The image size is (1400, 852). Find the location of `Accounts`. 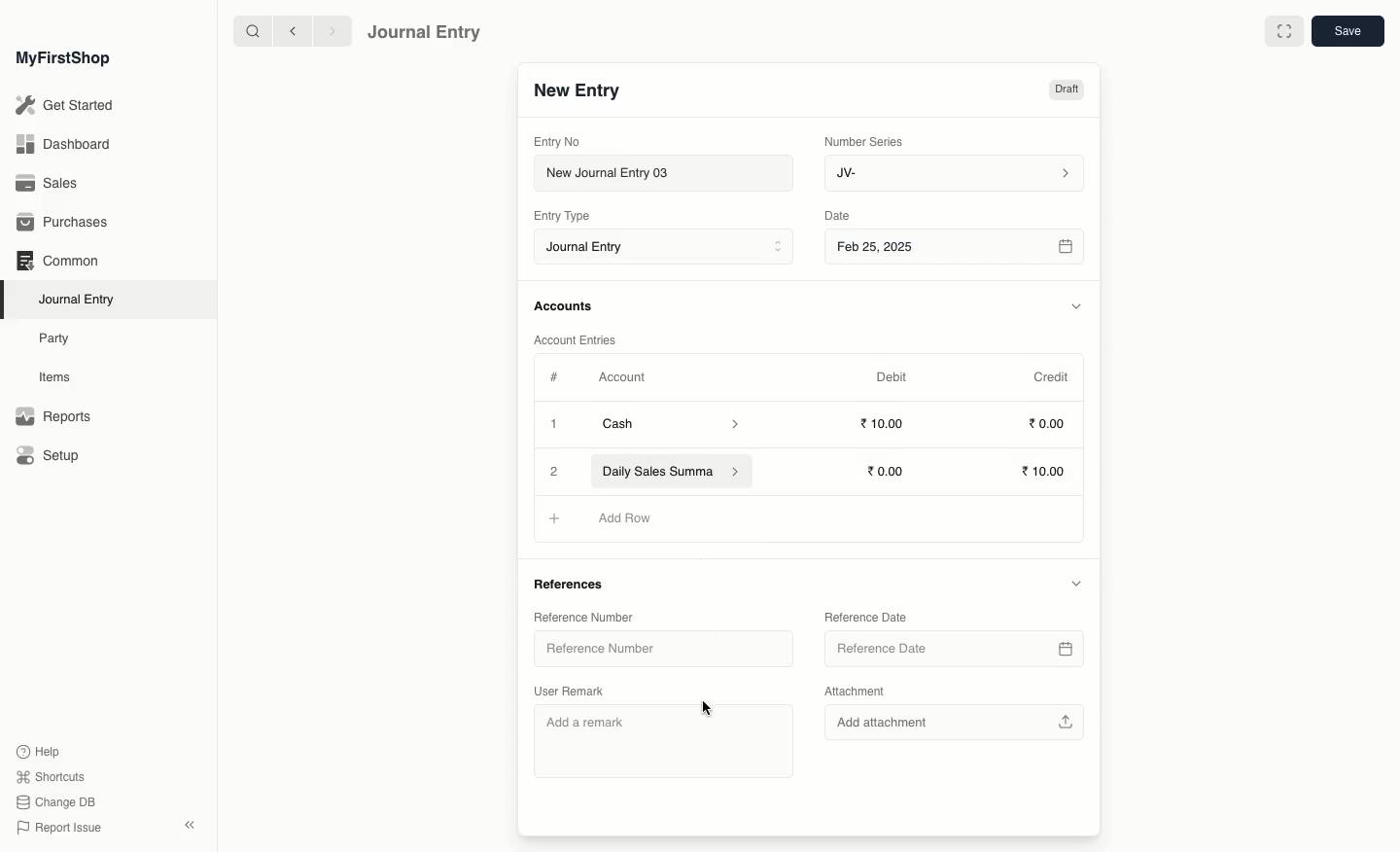

Accounts is located at coordinates (565, 306).